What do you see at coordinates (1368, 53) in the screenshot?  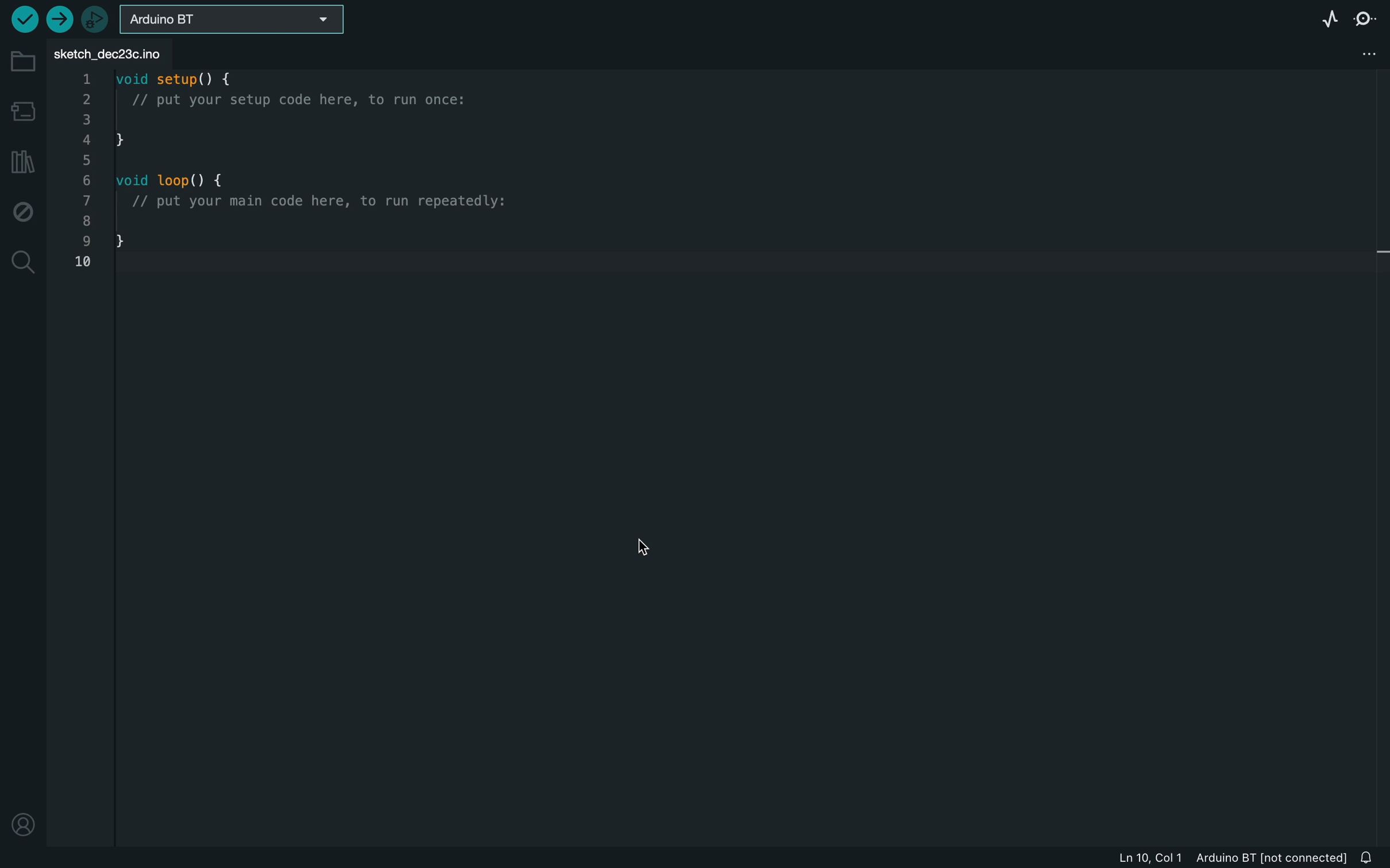 I see `file setting` at bounding box center [1368, 53].